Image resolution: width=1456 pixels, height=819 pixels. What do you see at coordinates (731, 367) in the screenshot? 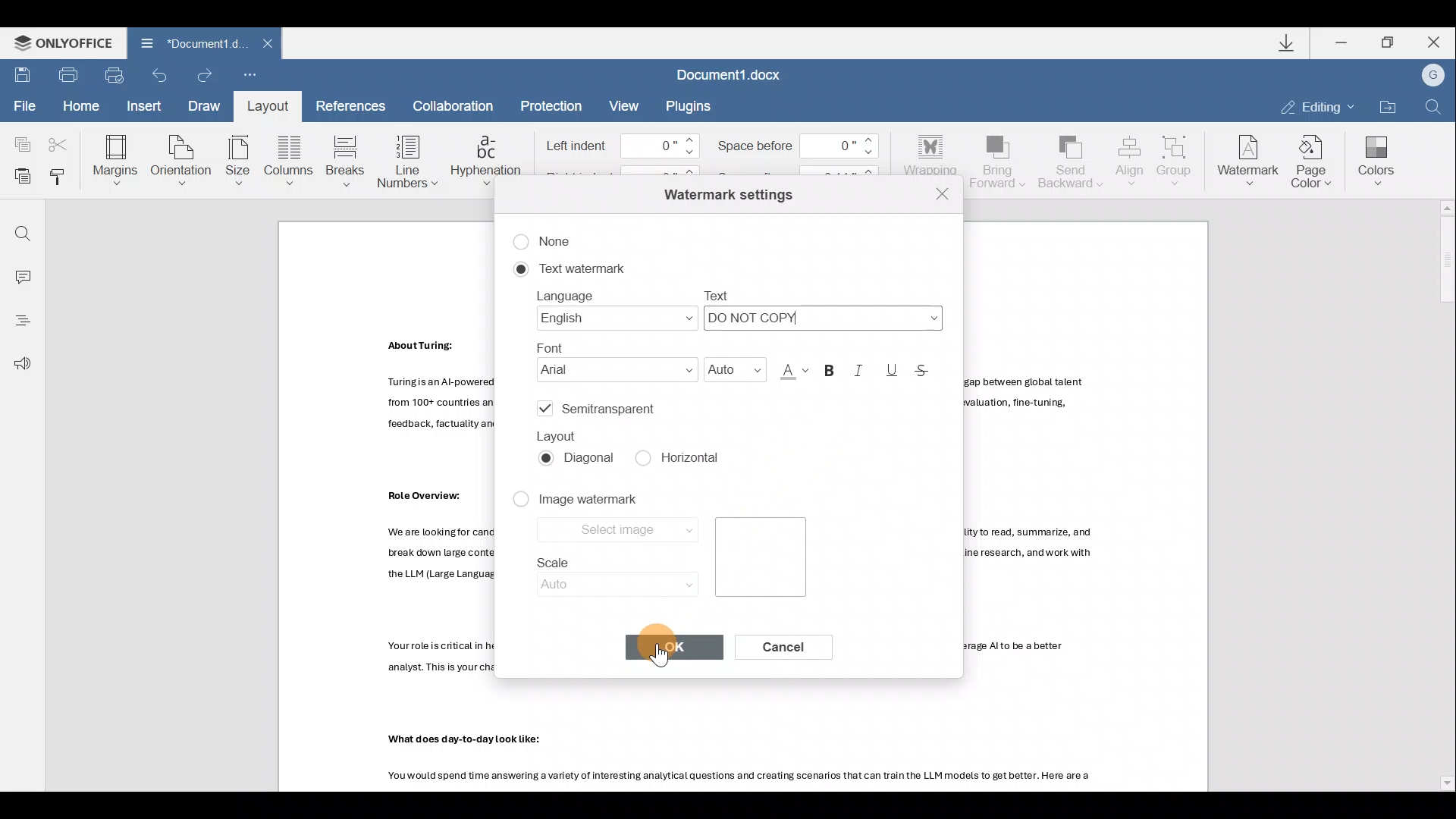
I see `Font size` at bounding box center [731, 367].